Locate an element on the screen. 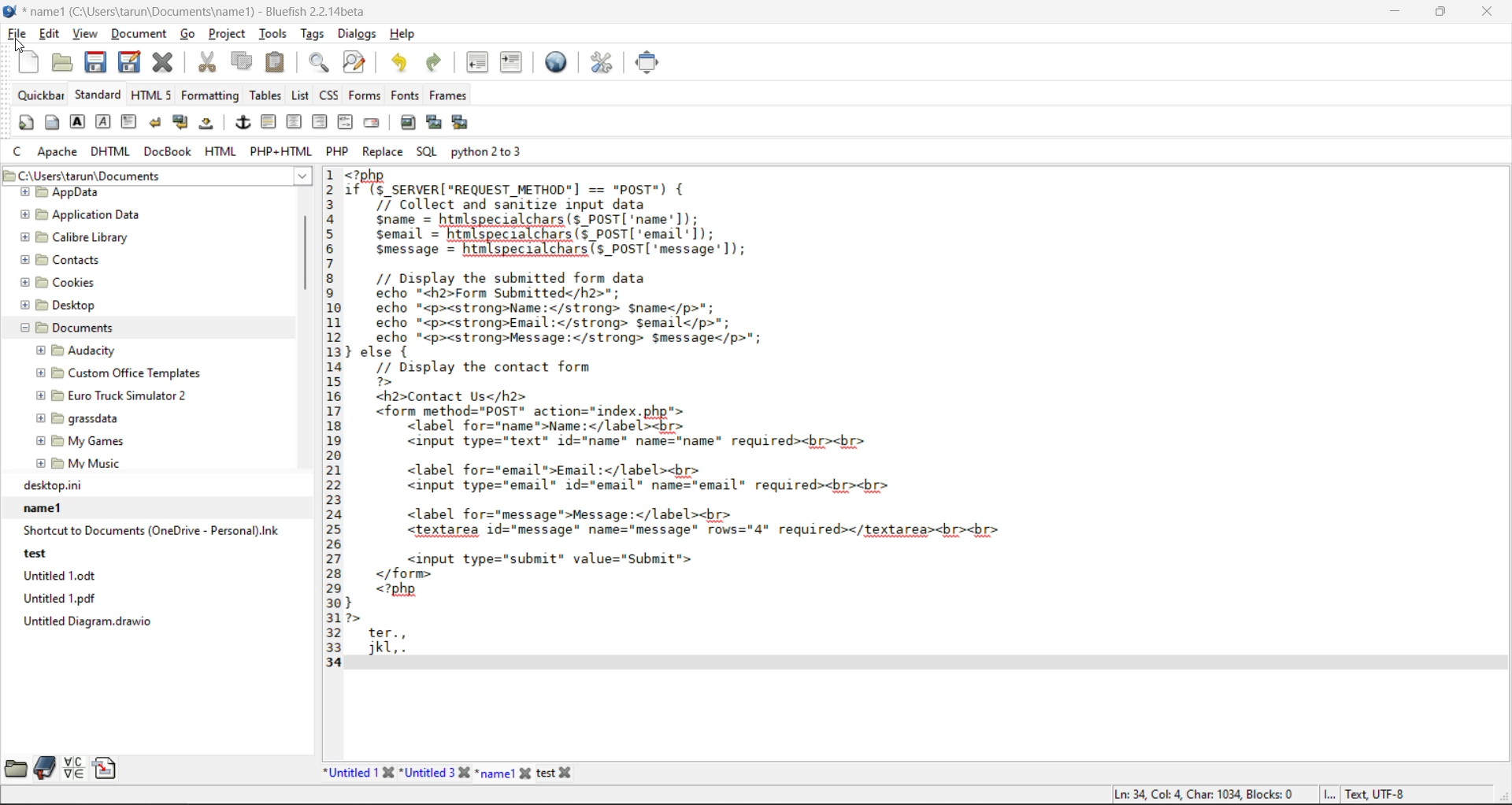  go is located at coordinates (187, 35).